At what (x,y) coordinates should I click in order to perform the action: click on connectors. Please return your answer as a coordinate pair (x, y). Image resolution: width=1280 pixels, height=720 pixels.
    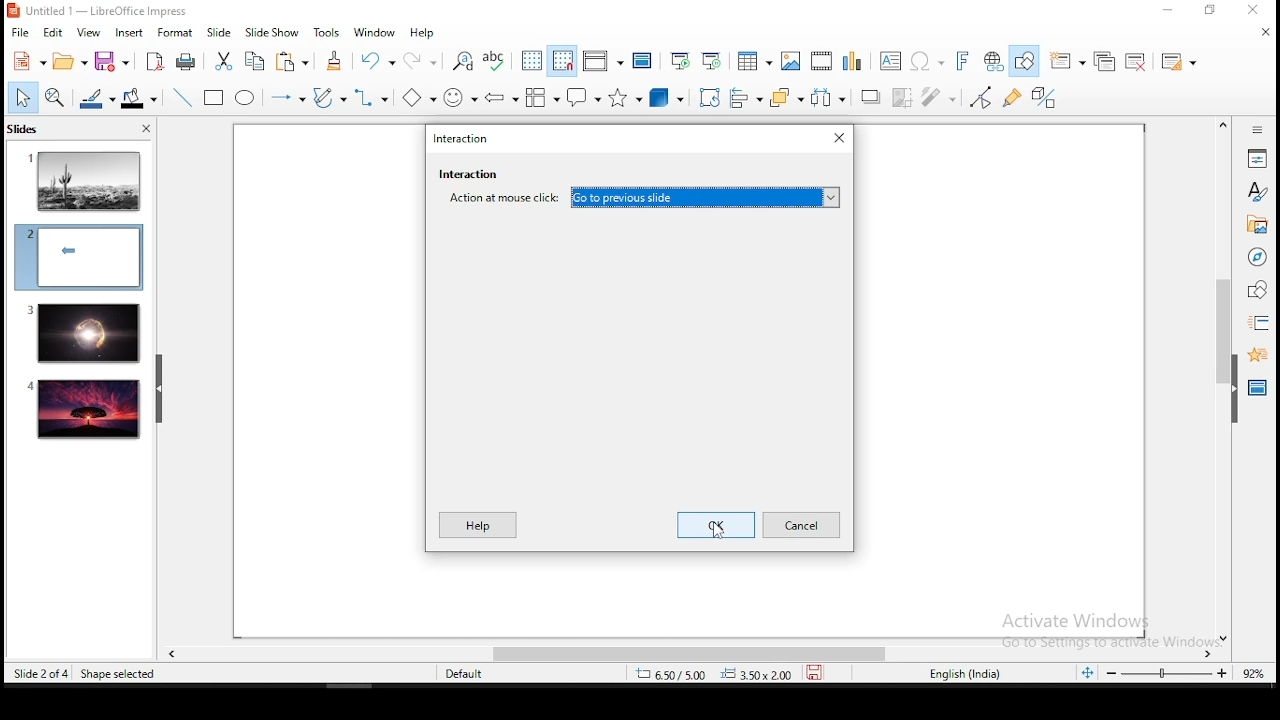
    Looking at the image, I should click on (371, 98).